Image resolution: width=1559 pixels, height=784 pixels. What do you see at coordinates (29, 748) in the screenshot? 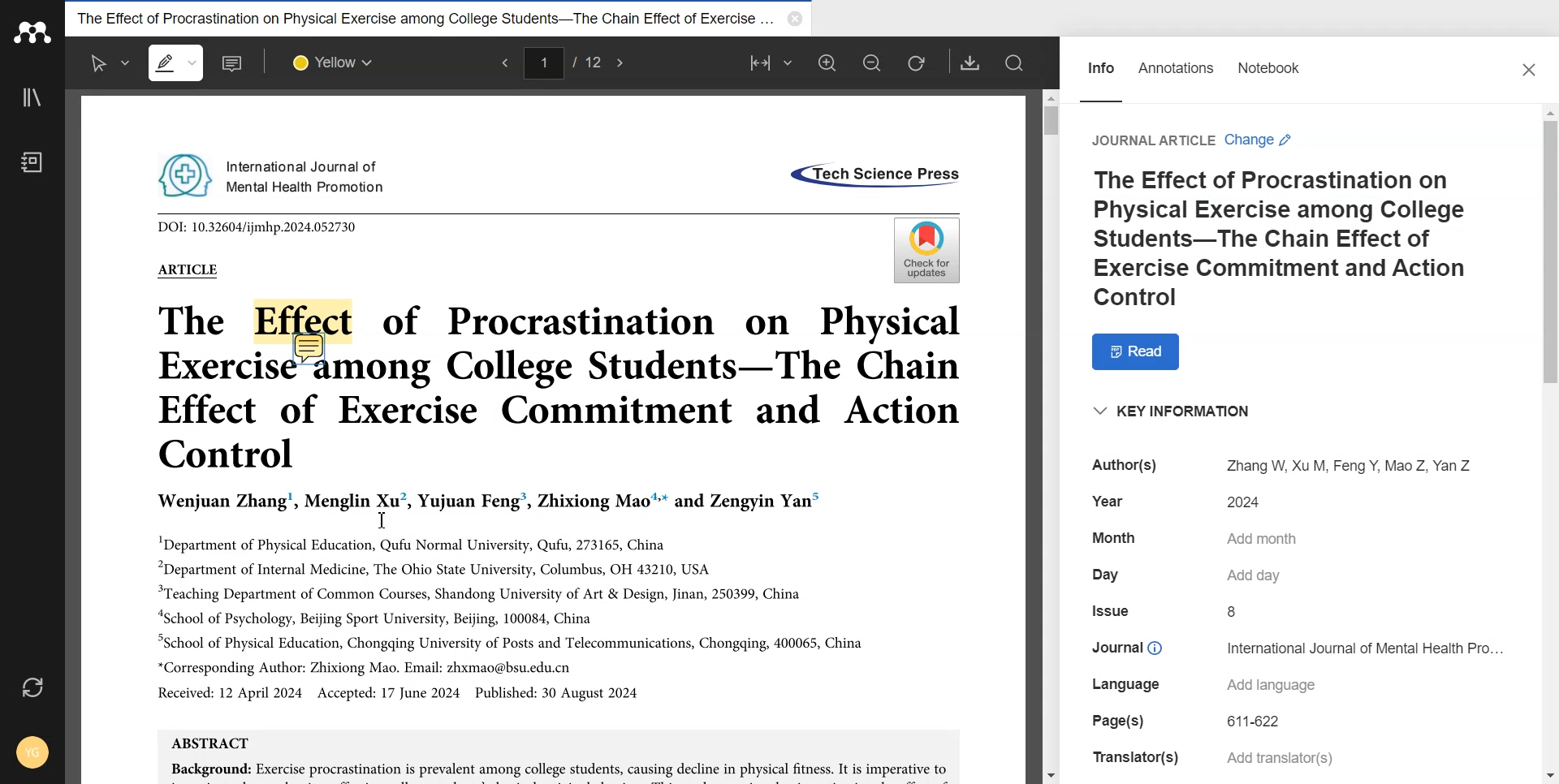
I see `Account` at bounding box center [29, 748].